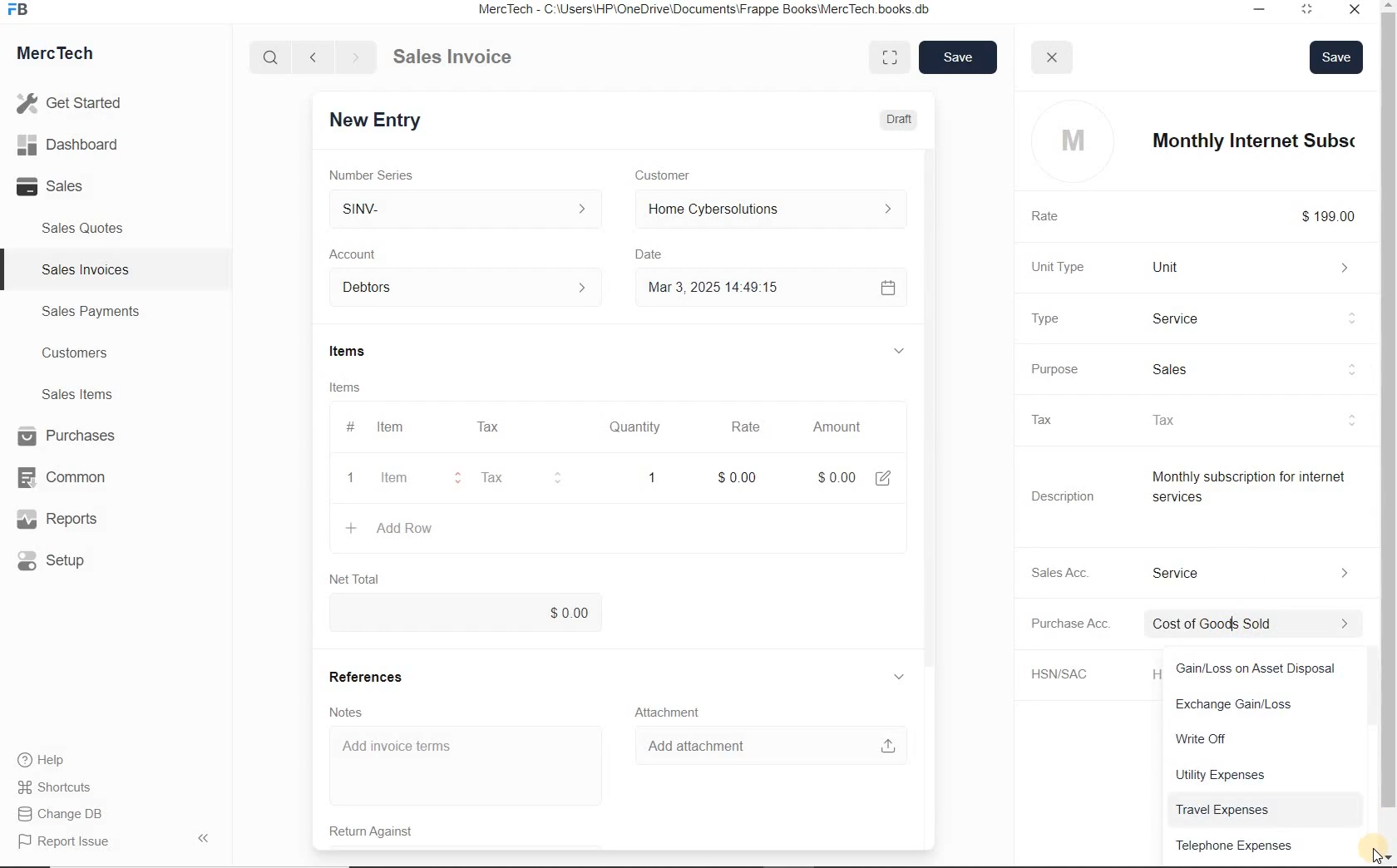 The height and width of the screenshot is (868, 1397). I want to click on Sales Items, so click(88, 394).